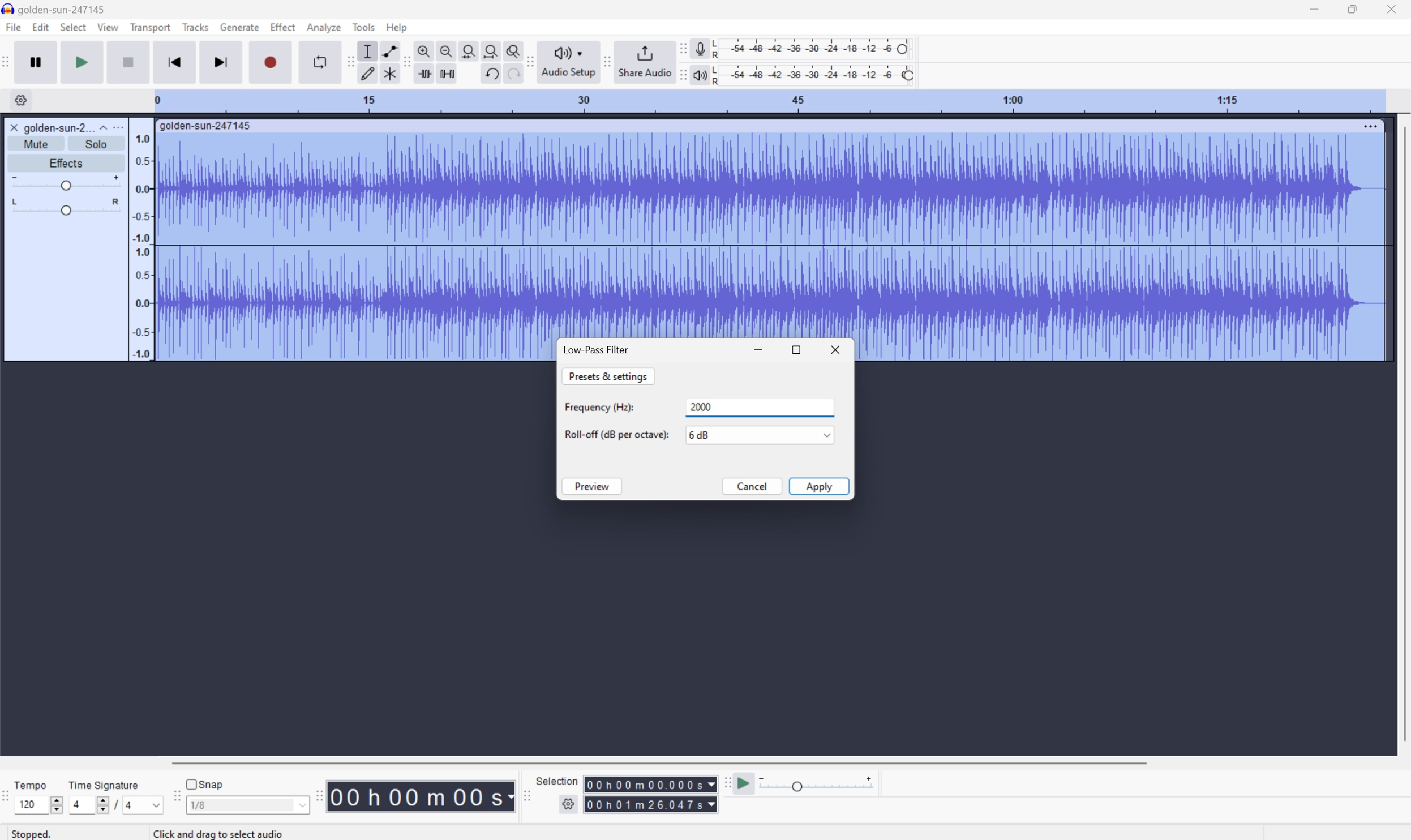 The image size is (1411, 840). I want to click on Zoom out, so click(447, 49).